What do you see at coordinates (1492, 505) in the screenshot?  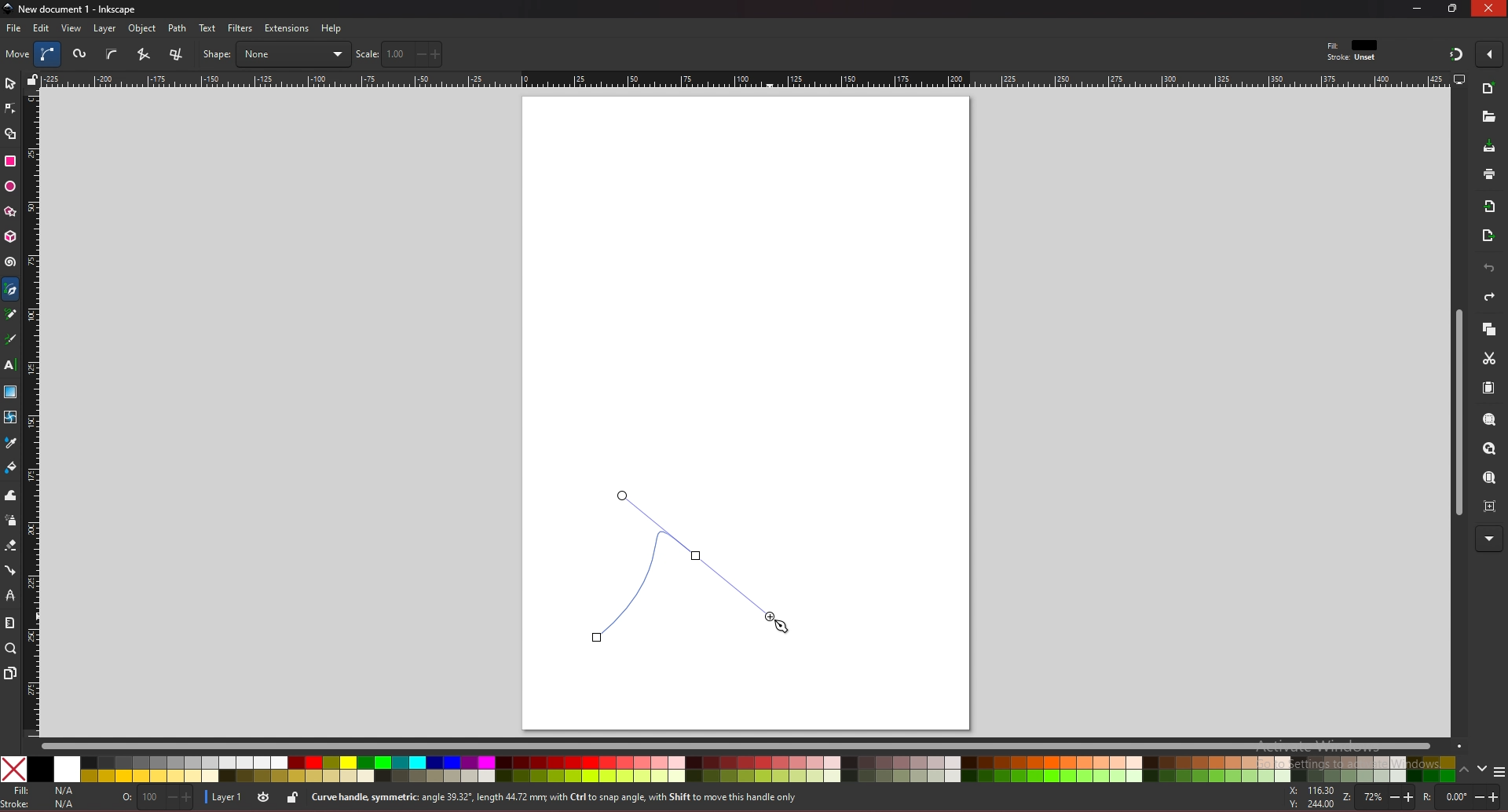 I see `zoom centre page` at bounding box center [1492, 505].